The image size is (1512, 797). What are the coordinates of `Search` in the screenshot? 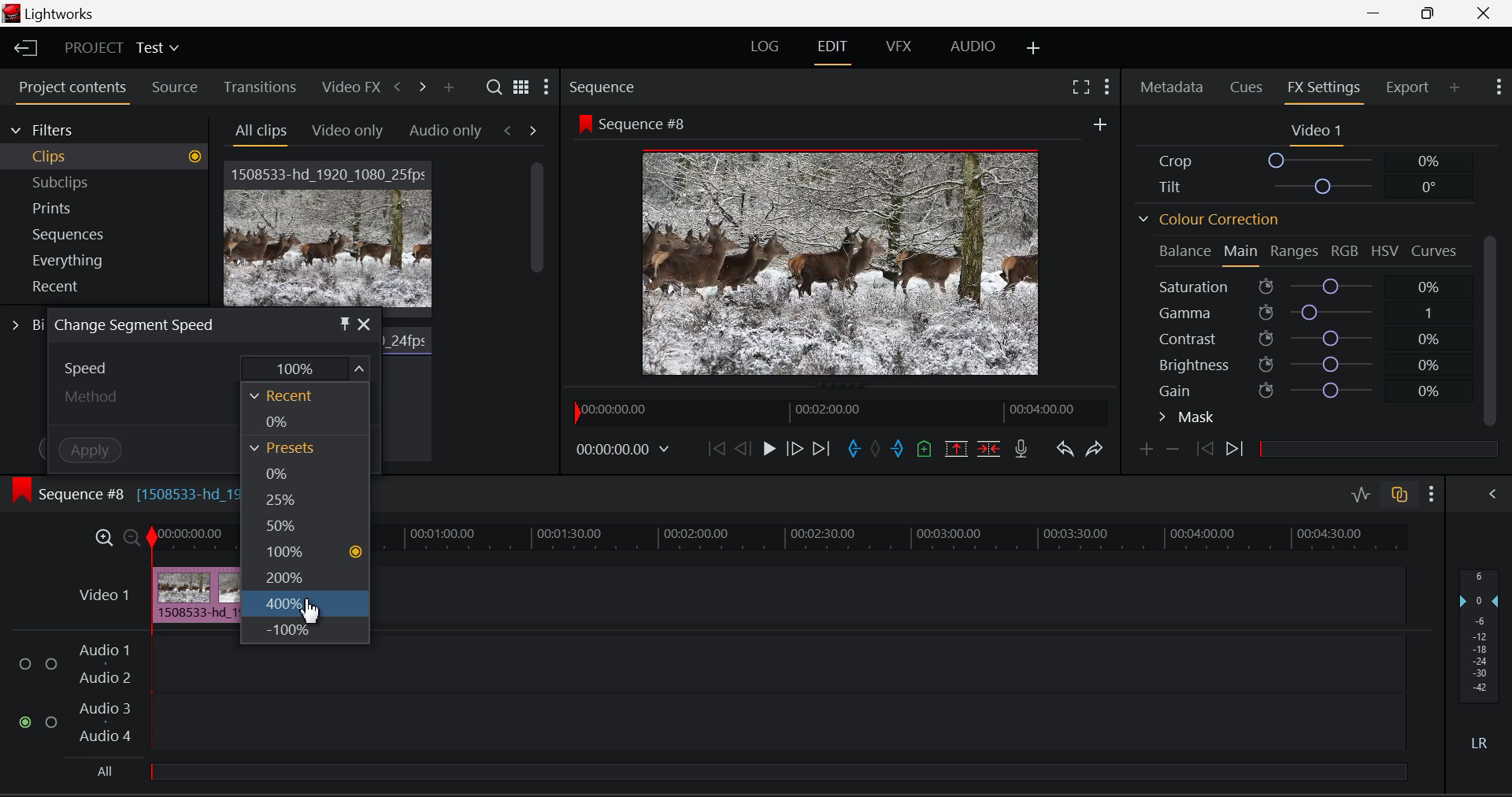 It's located at (492, 87).